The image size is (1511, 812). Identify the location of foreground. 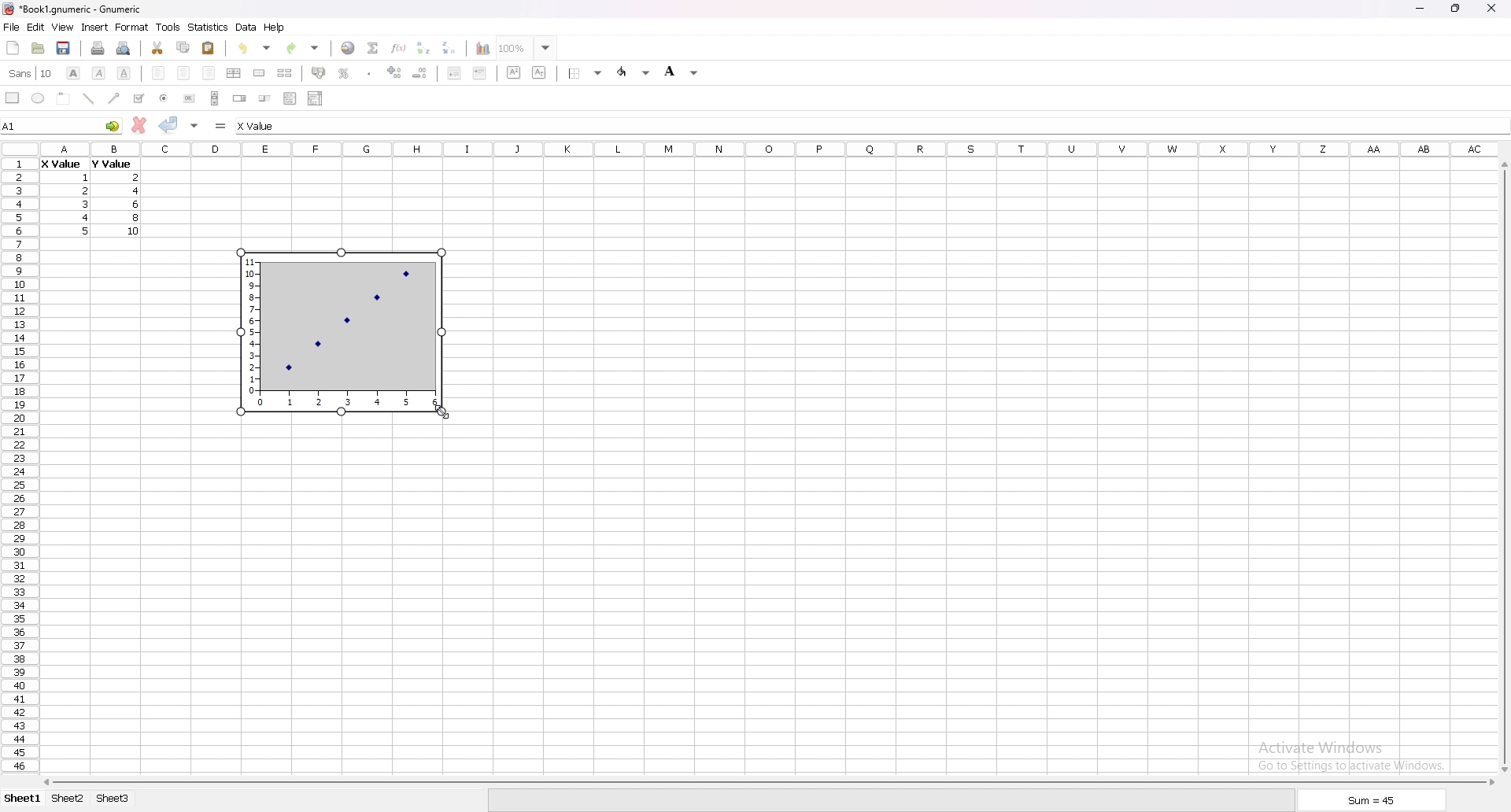
(635, 72).